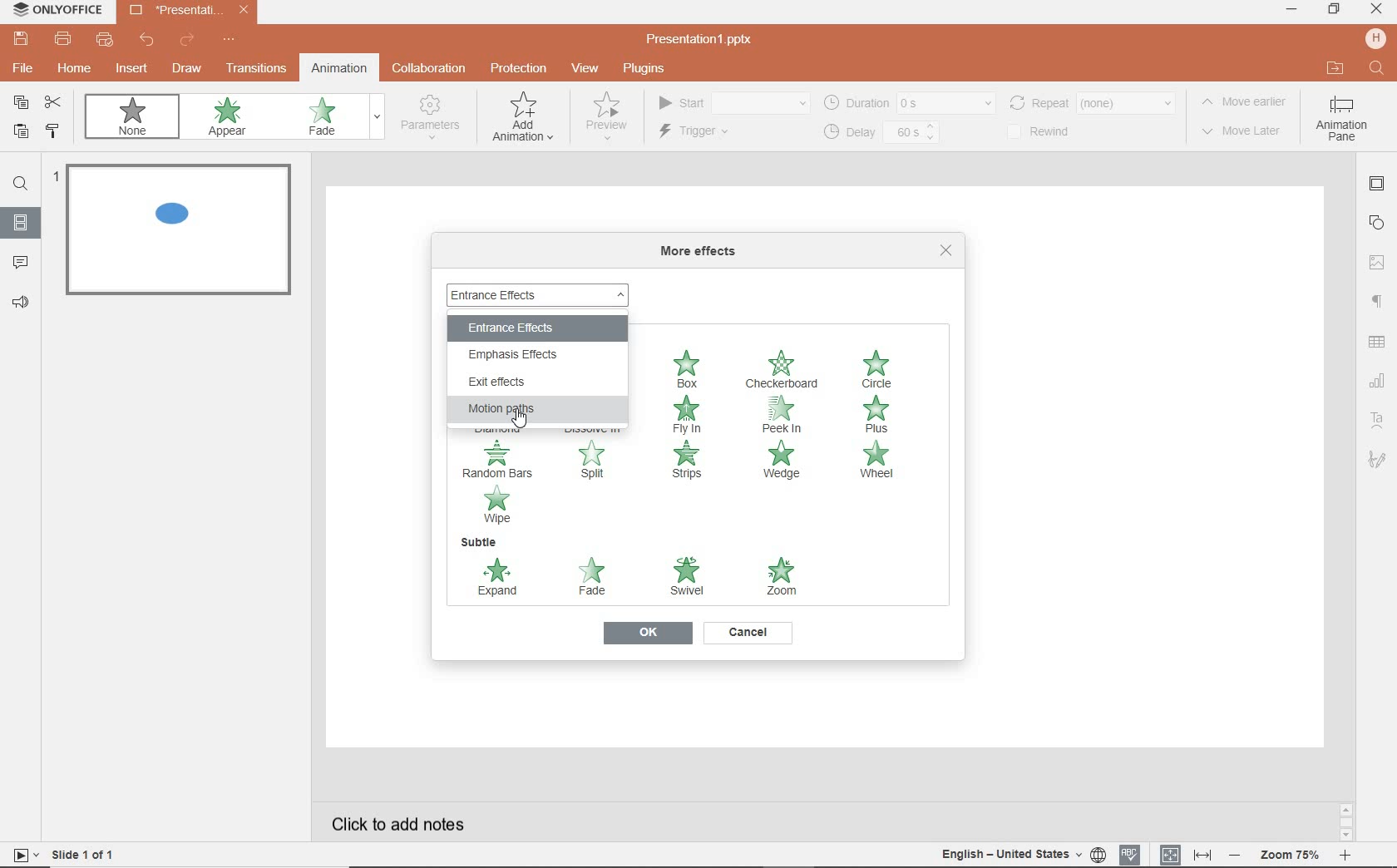 This screenshot has height=868, width=1397. What do you see at coordinates (1375, 418) in the screenshot?
I see `Text art ` at bounding box center [1375, 418].